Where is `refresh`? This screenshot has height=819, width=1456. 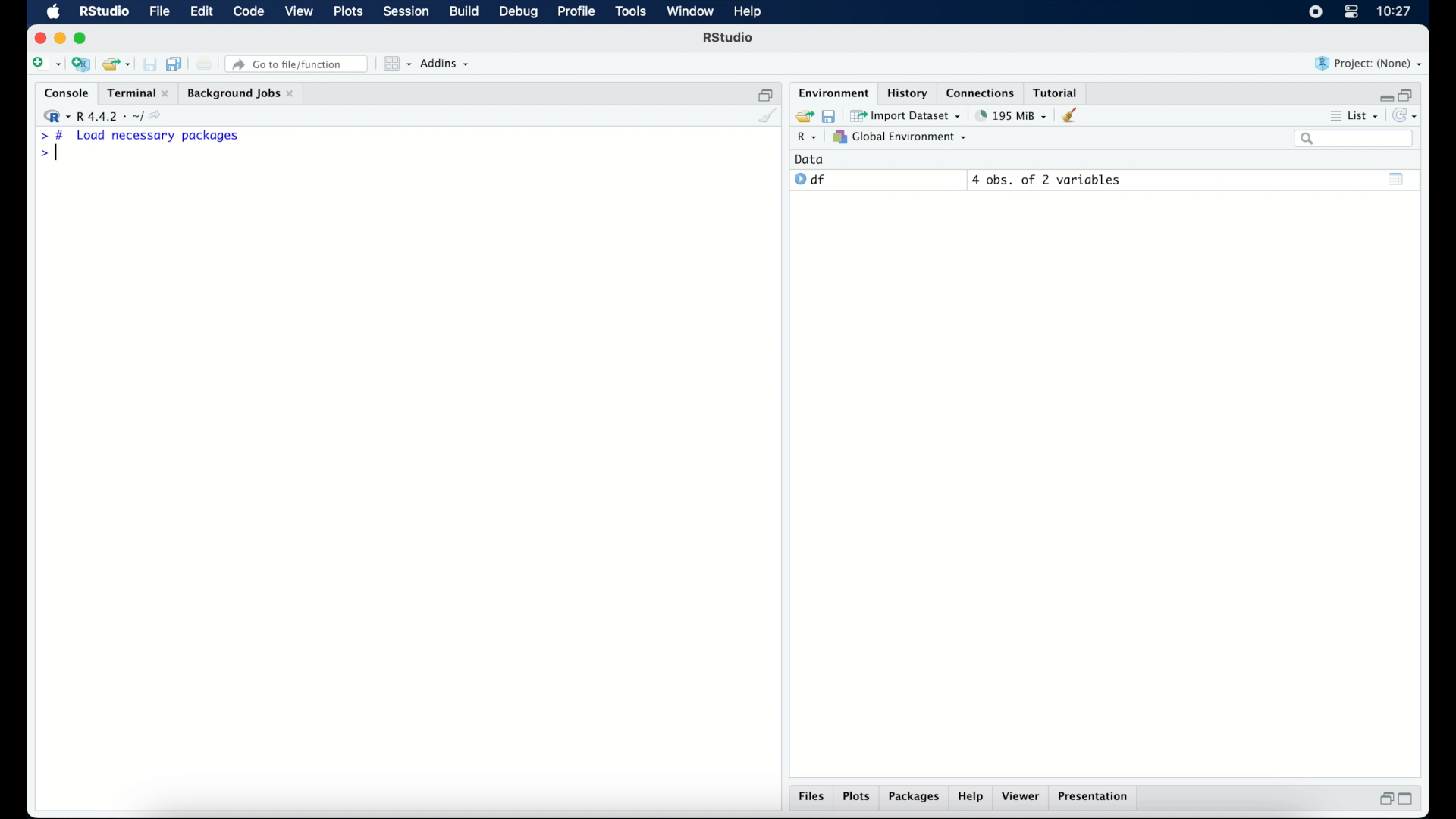
refresh is located at coordinates (1407, 117).